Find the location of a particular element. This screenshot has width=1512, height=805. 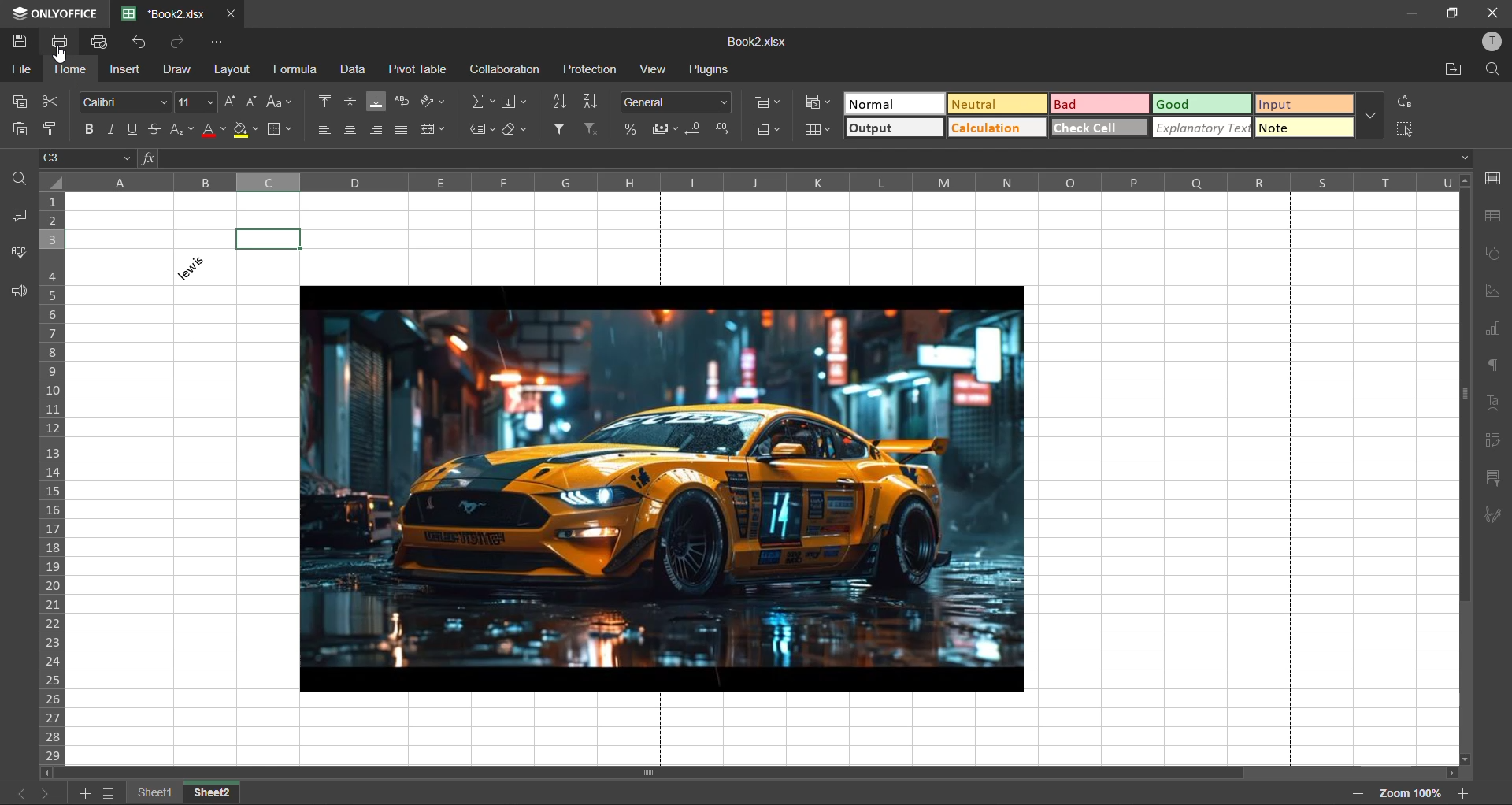

open location is located at coordinates (1451, 72).